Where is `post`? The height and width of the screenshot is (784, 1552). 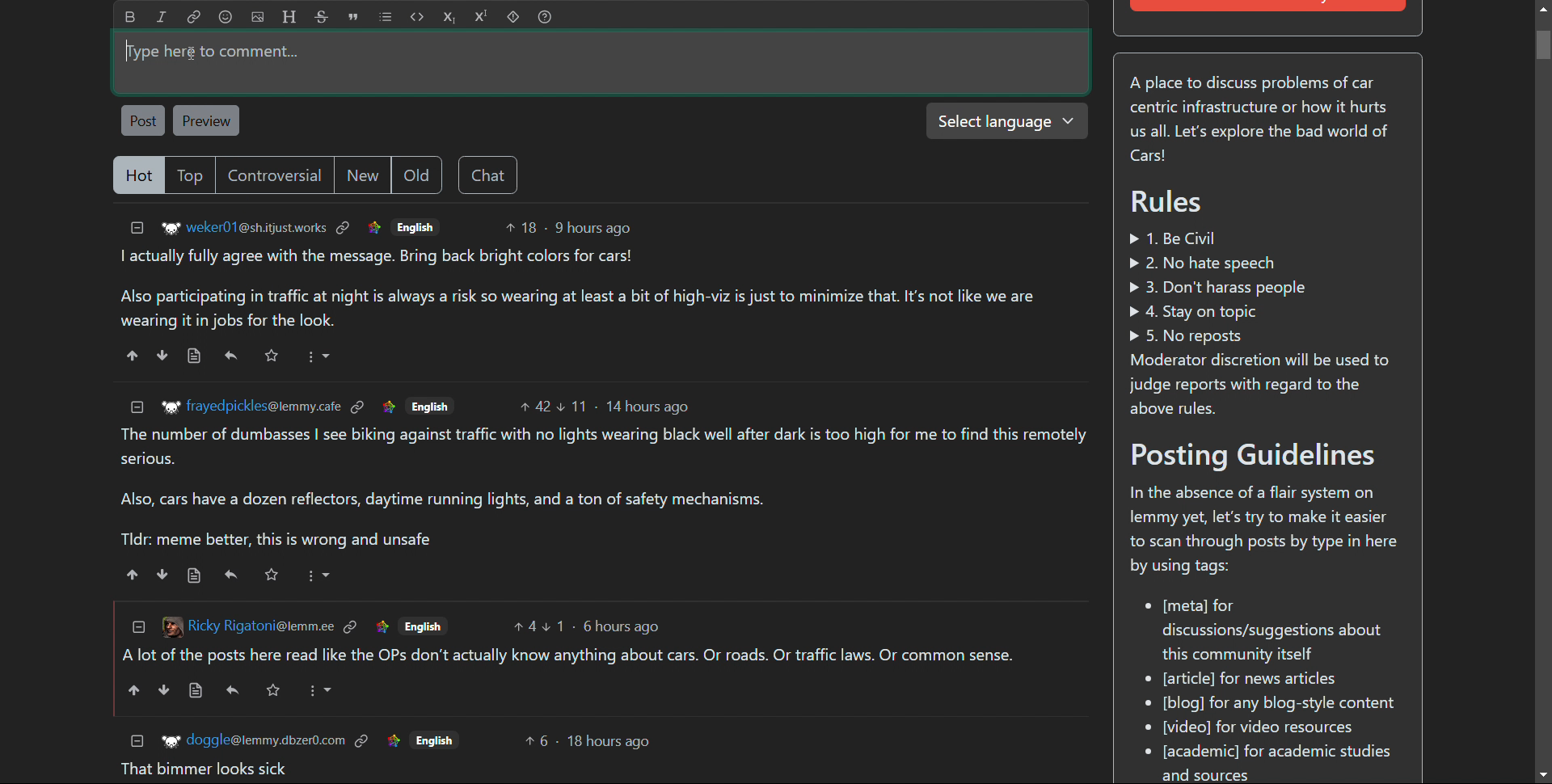
post is located at coordinates (143, 121).